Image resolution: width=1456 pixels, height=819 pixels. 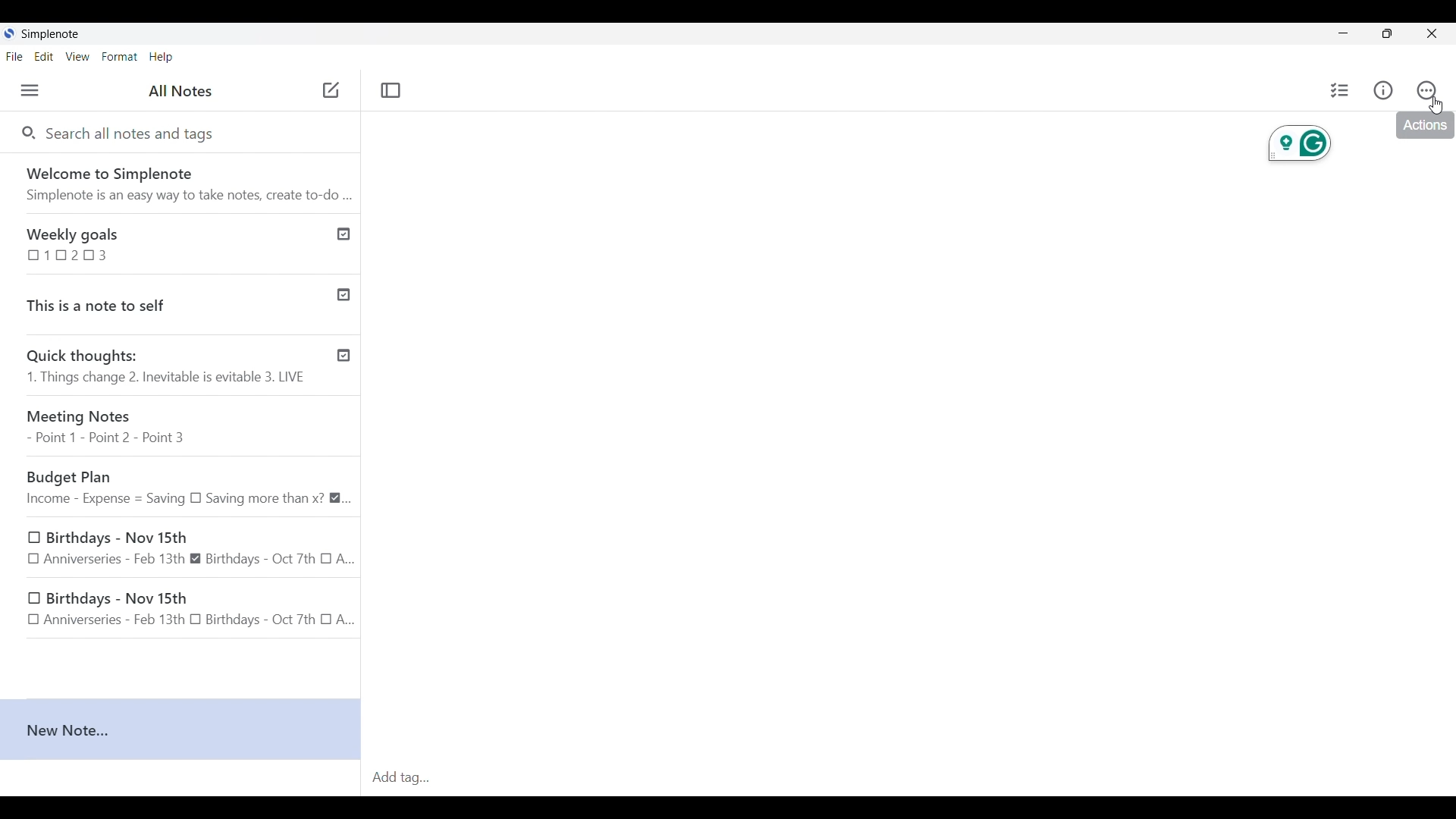 What do you see at coordinates (1343, 33) in the screenshot?
I see `Minimize` at bounding box center [1343, 33].